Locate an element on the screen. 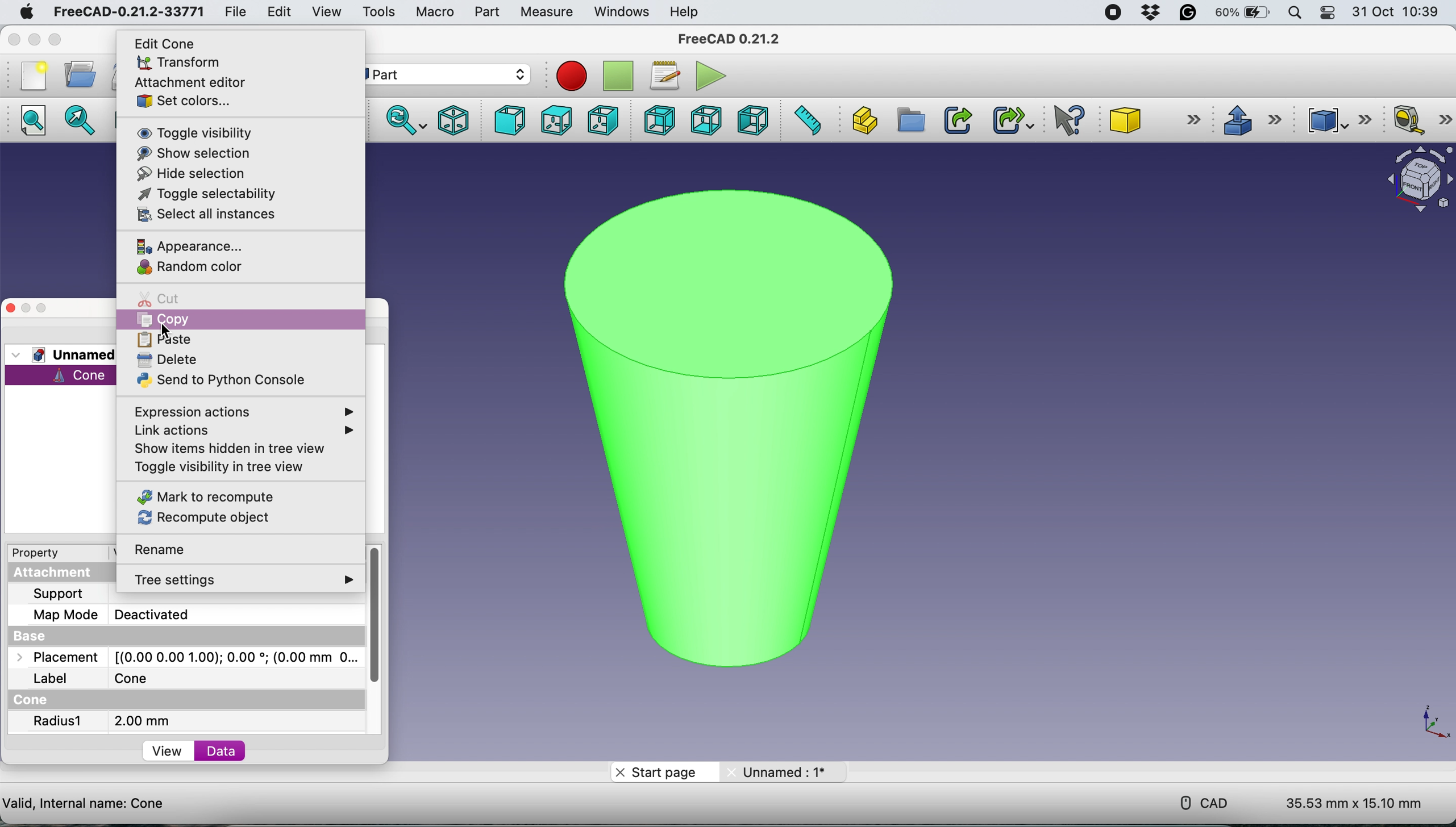 The image size is (1456, 827). edit cone is located at coordinates (168, 43).